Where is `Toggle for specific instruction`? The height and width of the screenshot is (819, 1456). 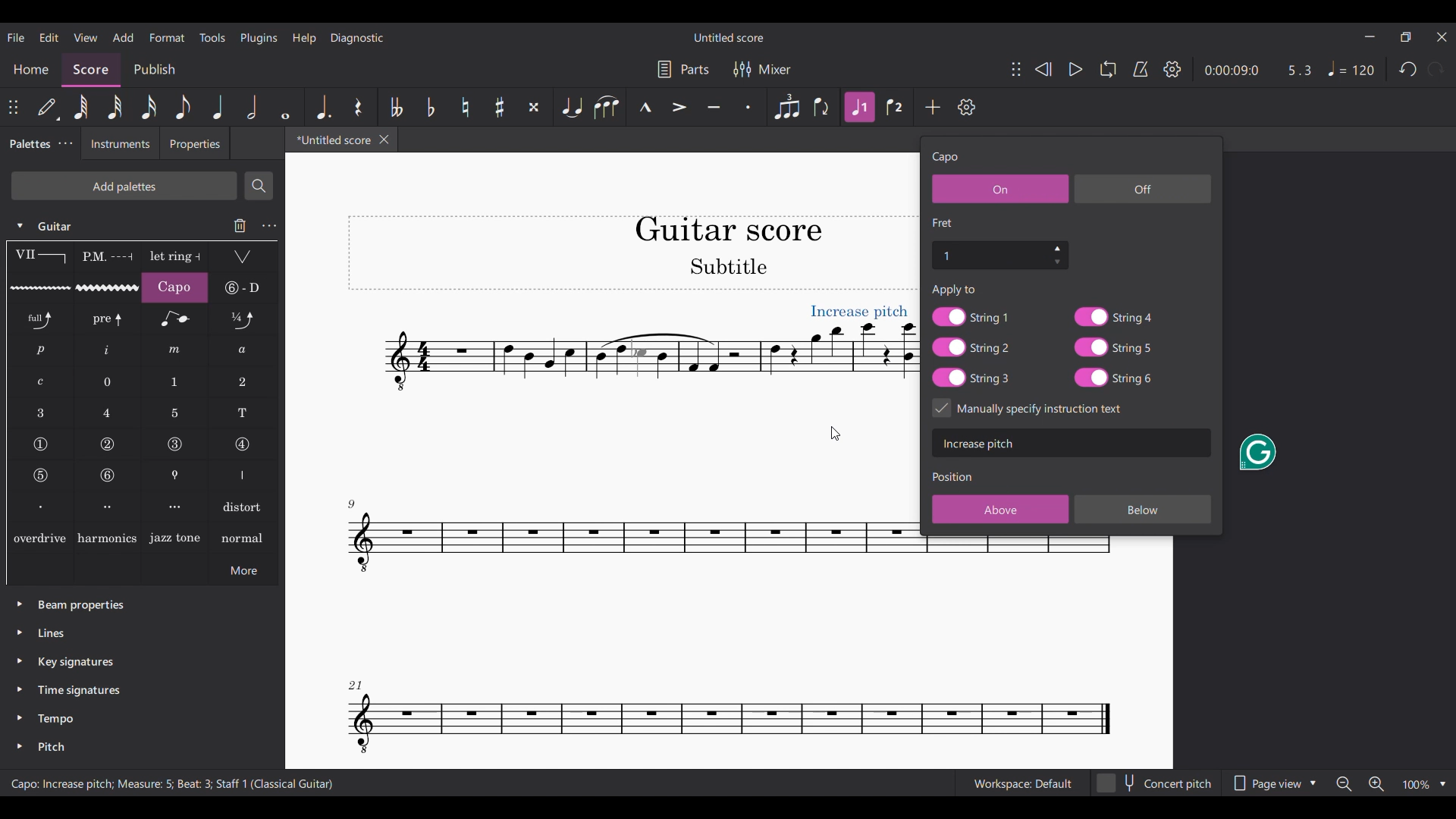
Toggle for specific instruction is located at coordinates (1040, 409).